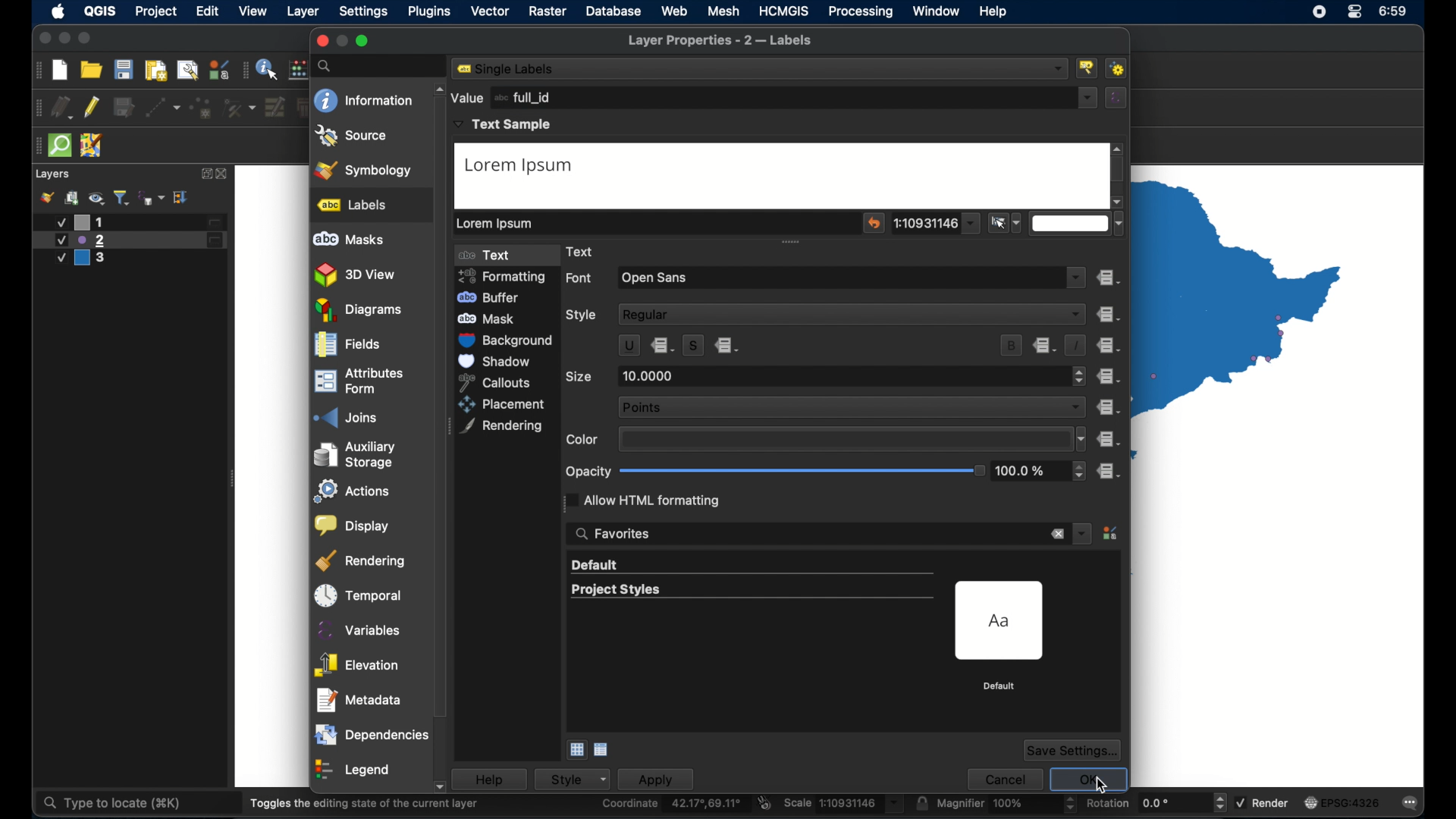 Image resolution: width=1456 pixels, height=819 pixels. I want to click on drag handle, so click(245, 69).